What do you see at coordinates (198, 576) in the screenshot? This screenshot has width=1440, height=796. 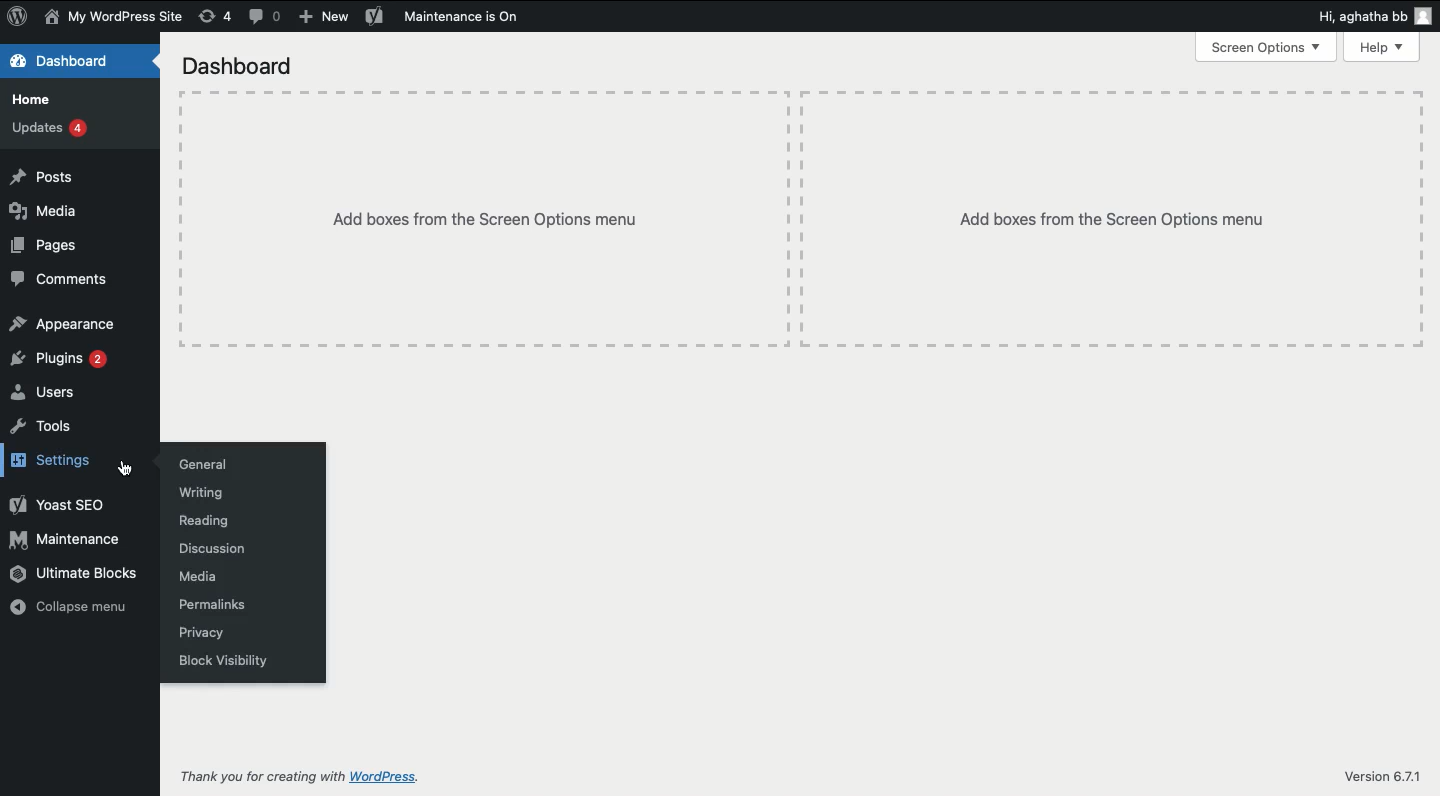 I see `media` at bounding box center [198, 576].